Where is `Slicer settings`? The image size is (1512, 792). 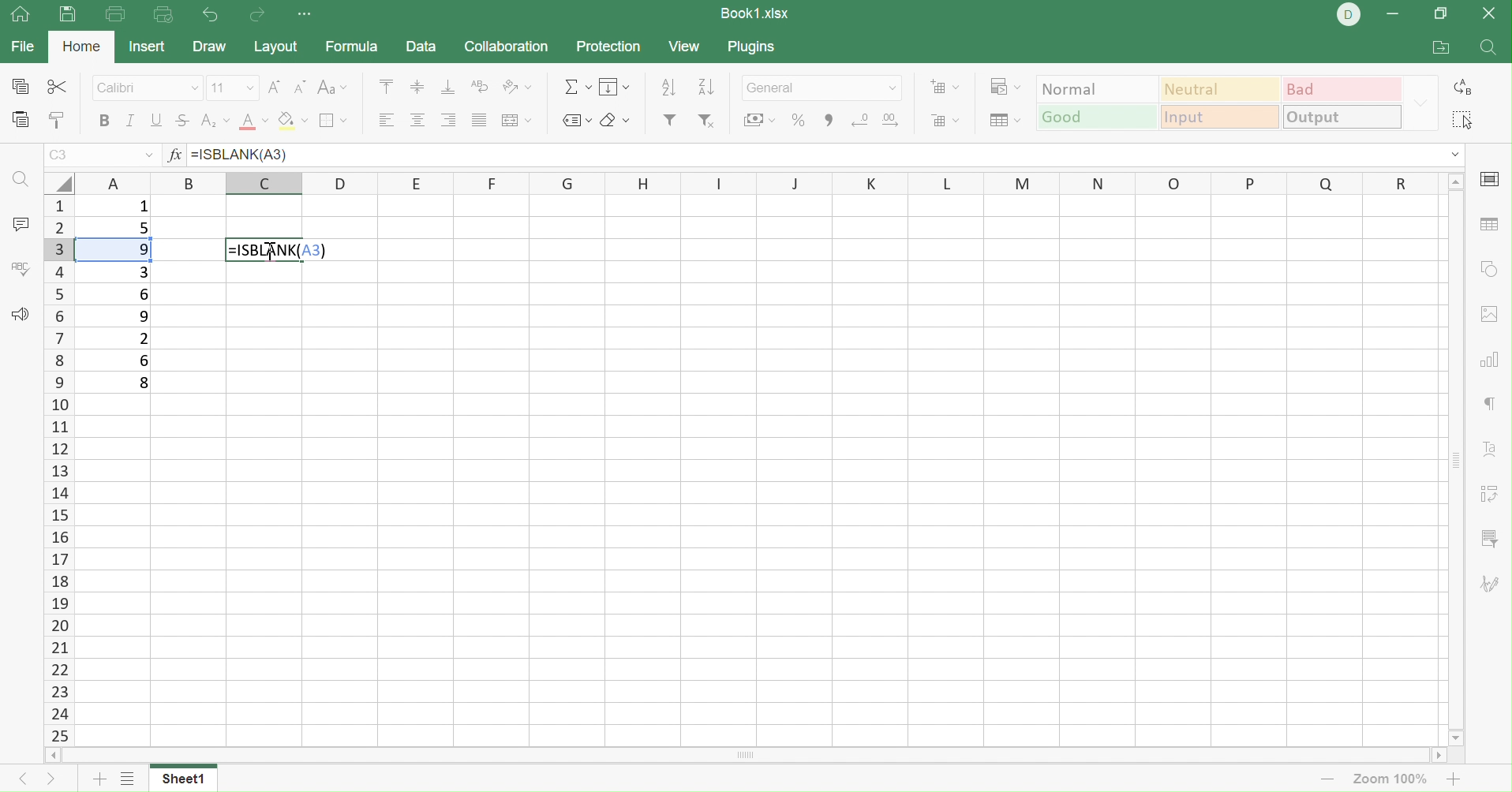 Slicer settings is located at coordinates (1494, 537).